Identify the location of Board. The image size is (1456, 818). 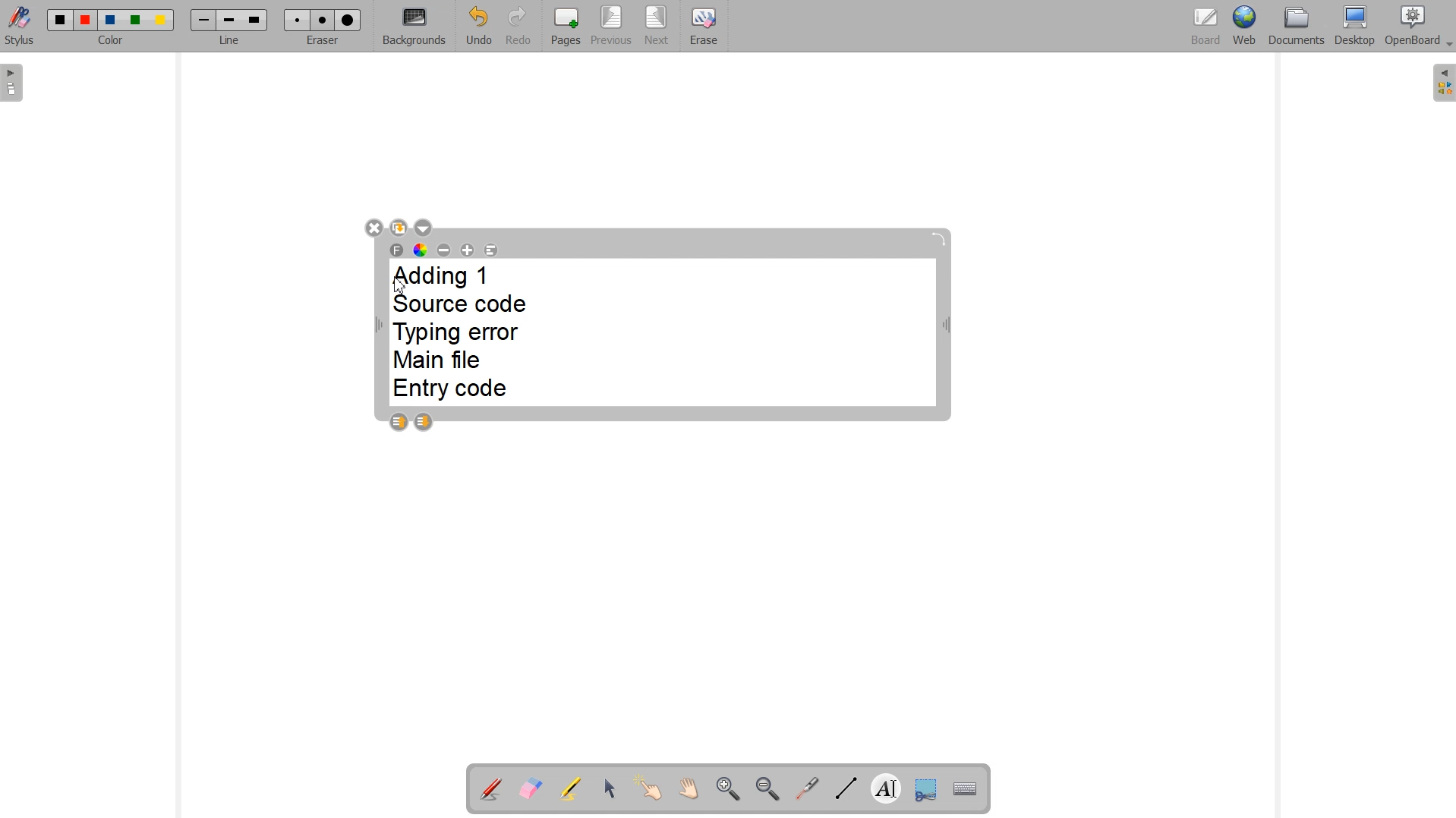
(1206, 27).